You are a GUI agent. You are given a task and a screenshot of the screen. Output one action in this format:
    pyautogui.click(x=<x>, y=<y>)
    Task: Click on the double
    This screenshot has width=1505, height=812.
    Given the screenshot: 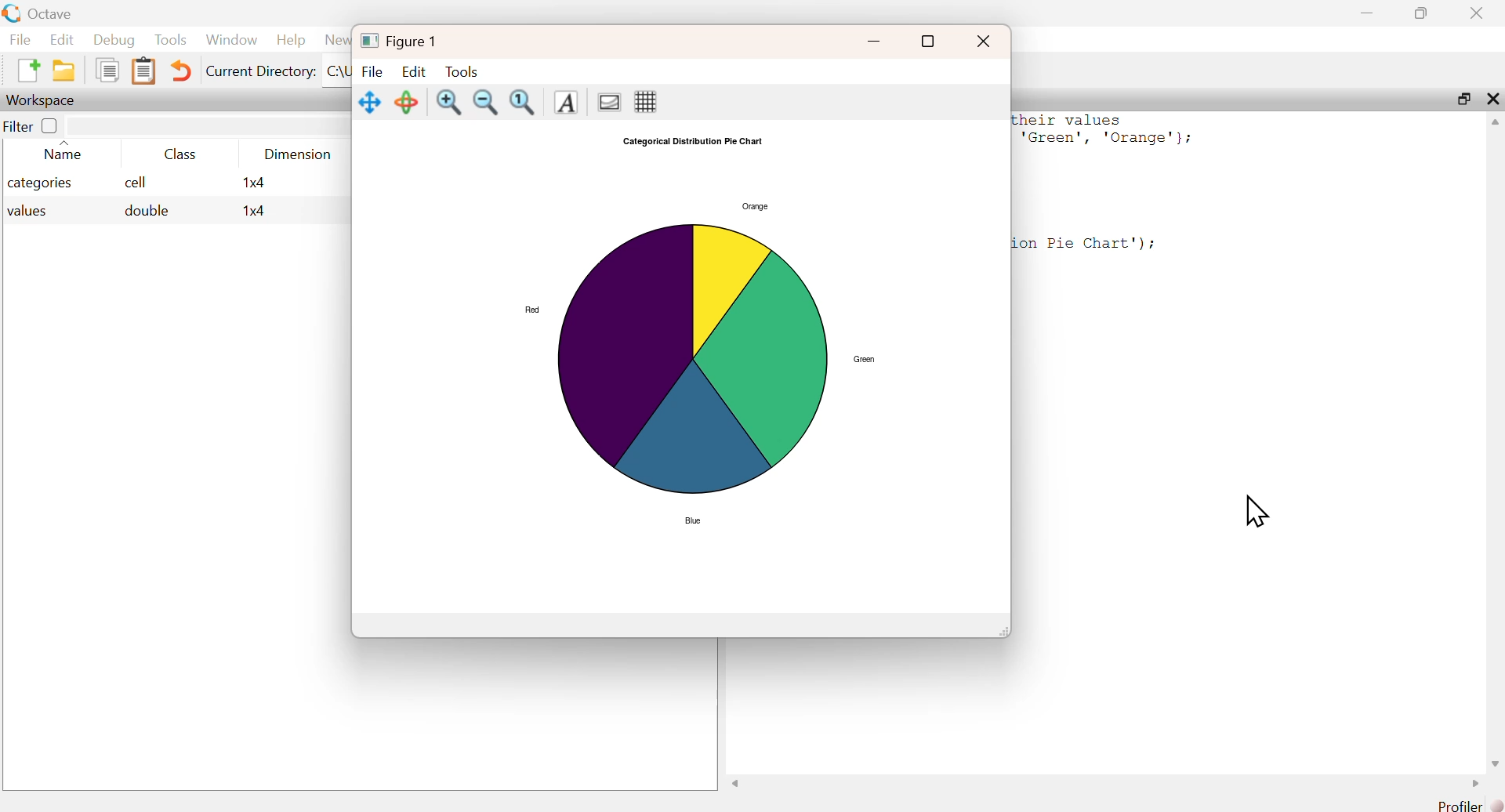 What is the action you would take?
    pyautogui.click(x=147, y=210)
    